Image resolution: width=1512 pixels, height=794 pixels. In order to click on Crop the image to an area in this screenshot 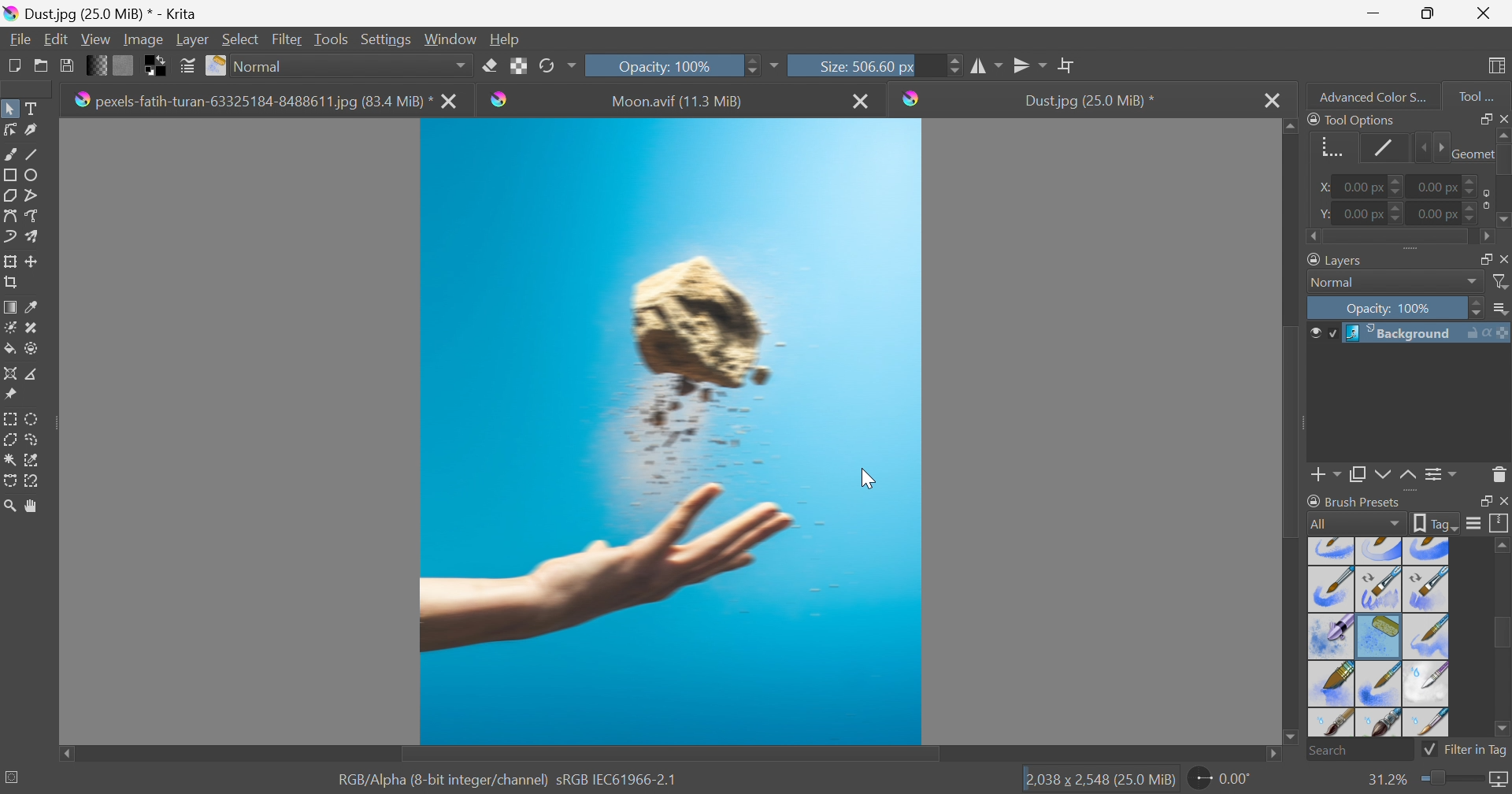, I will do `click(13, 284)`.